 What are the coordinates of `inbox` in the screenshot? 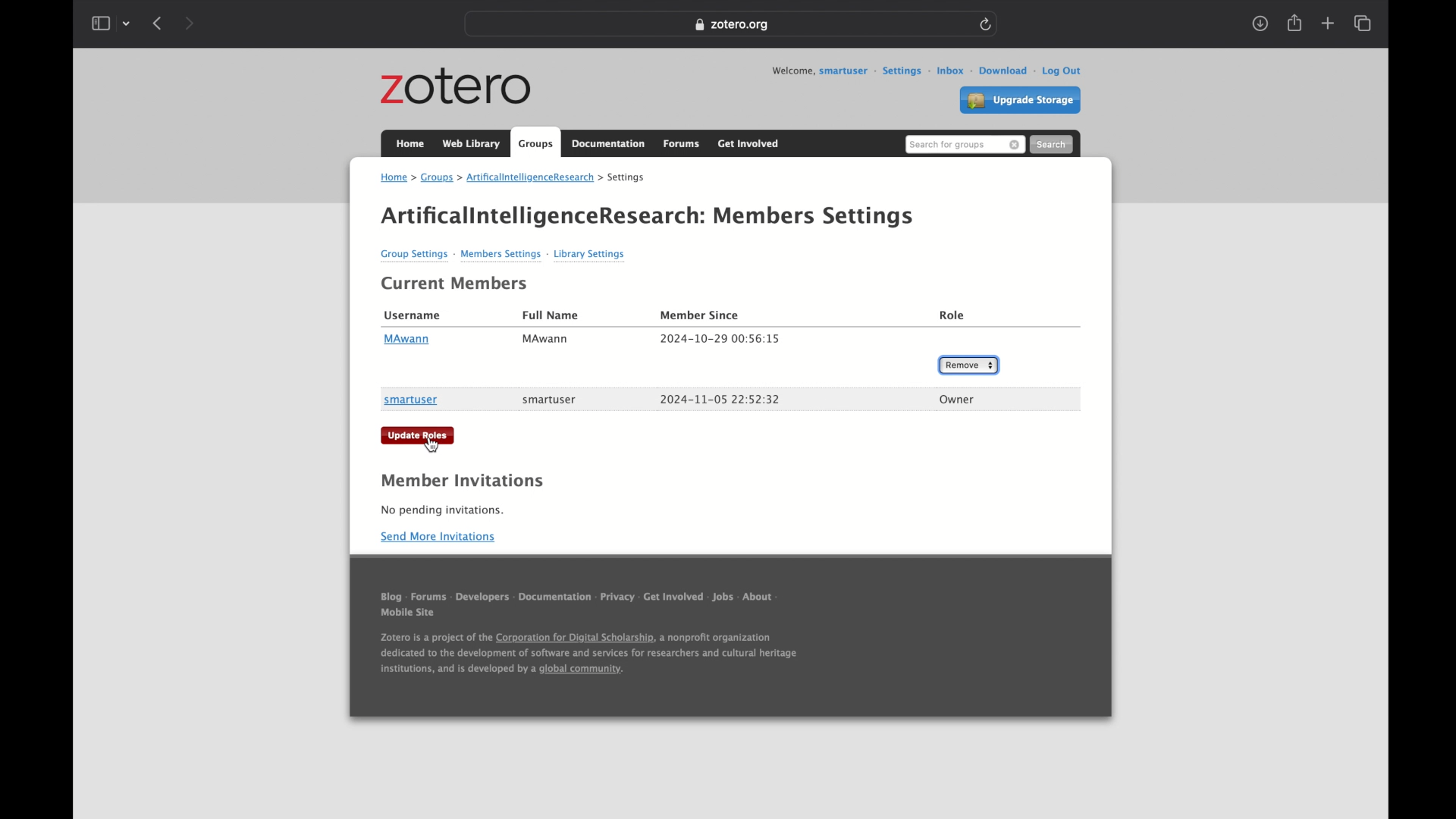 It's located at (944, 70).